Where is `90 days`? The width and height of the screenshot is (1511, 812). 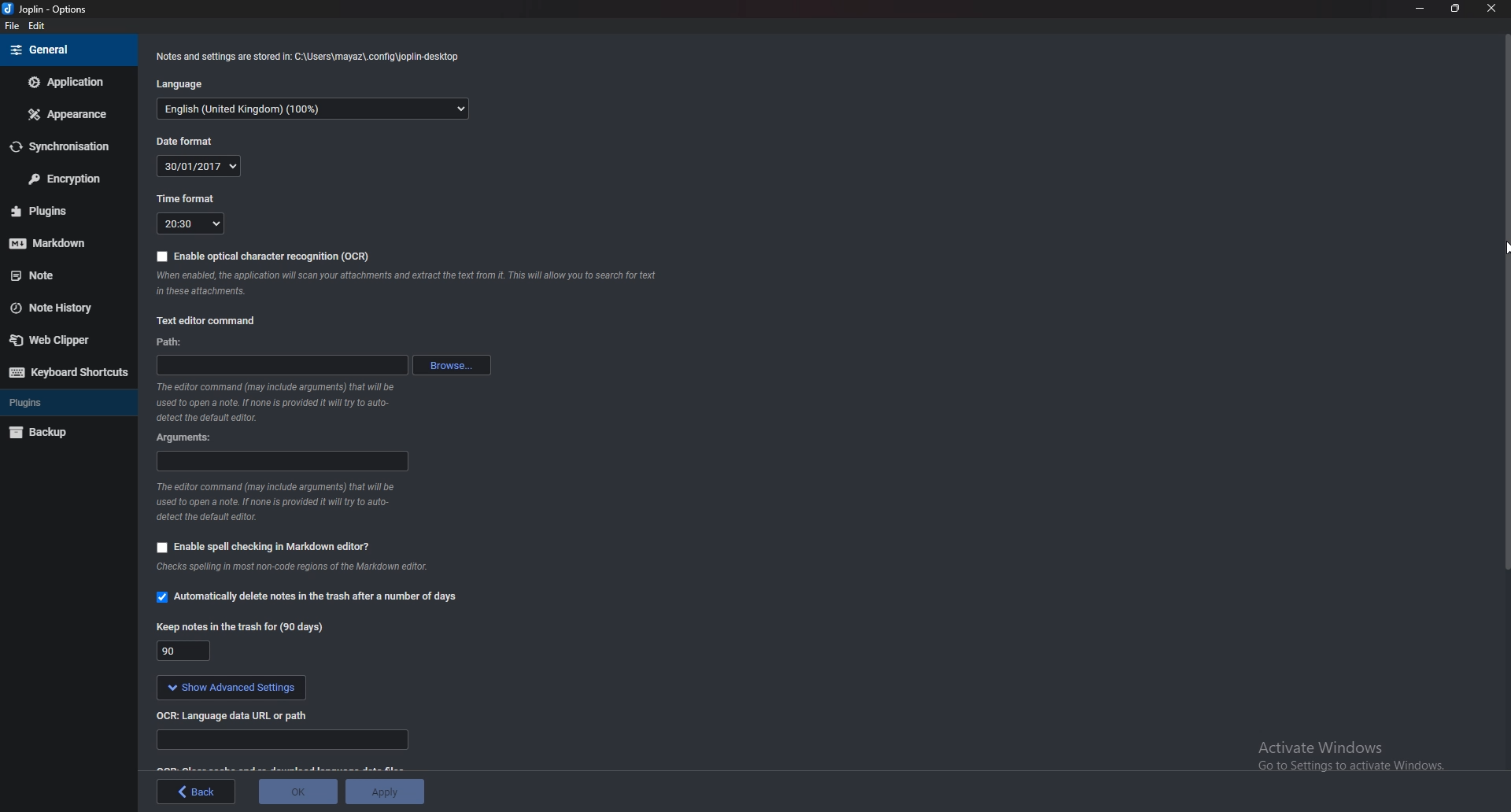 90 days is located at coordinates (184, 651).